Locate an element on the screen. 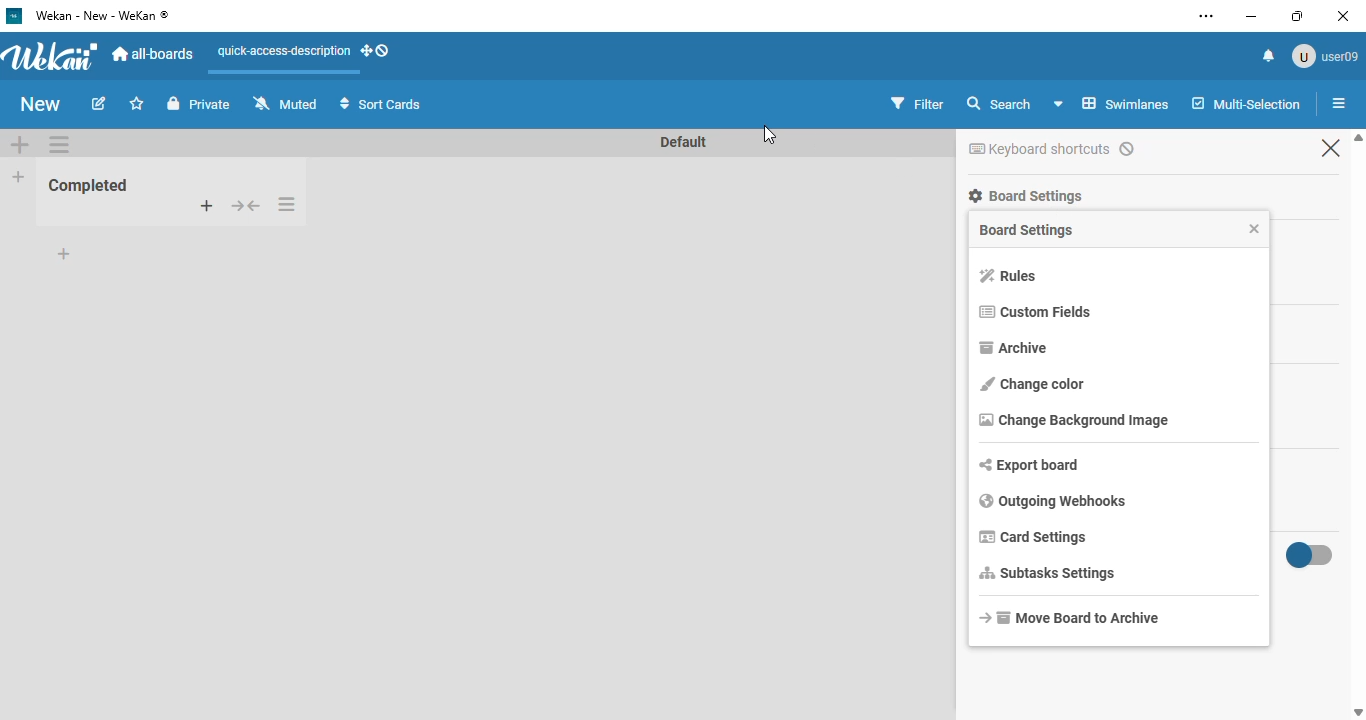 Image resolution: width=1366 pixels, height=720 pixels. list actions is located at coordinates (1339, 103).